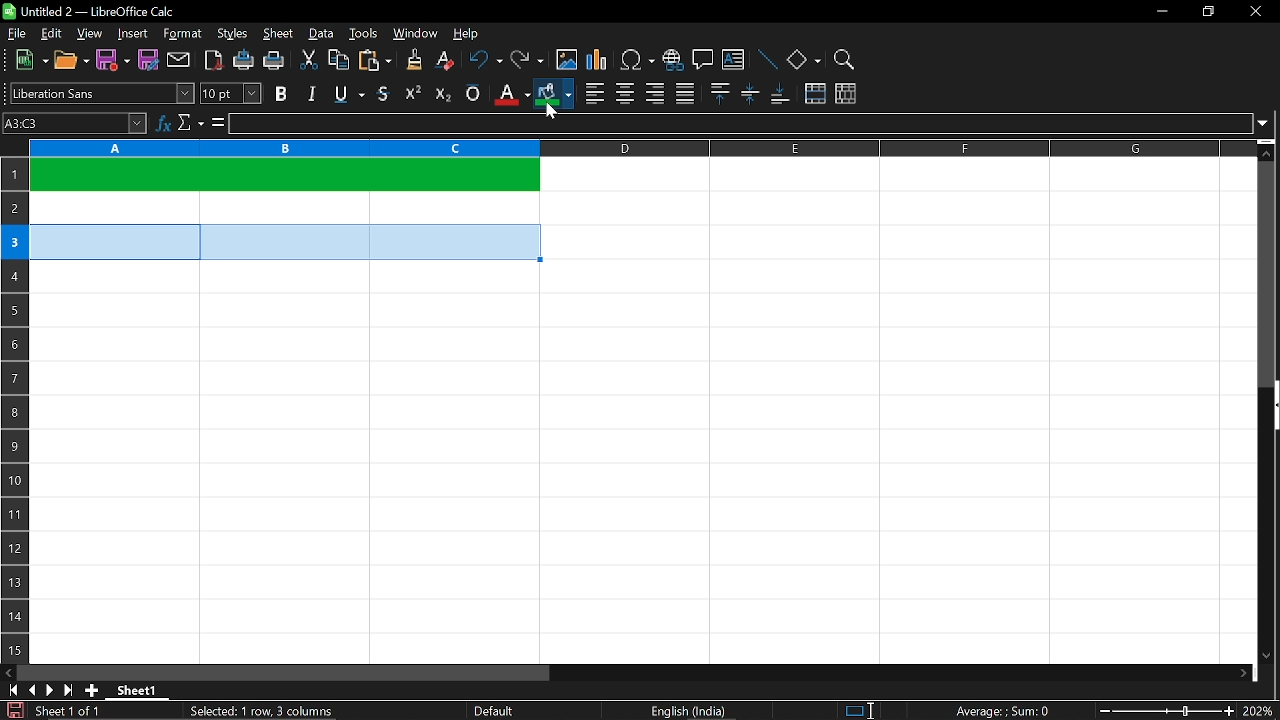 This screenshot has height=720, width=1280. What do you see at coordinates (845, 57) in the screenshot?
I see `zoom` at bounding box center [845, 57].